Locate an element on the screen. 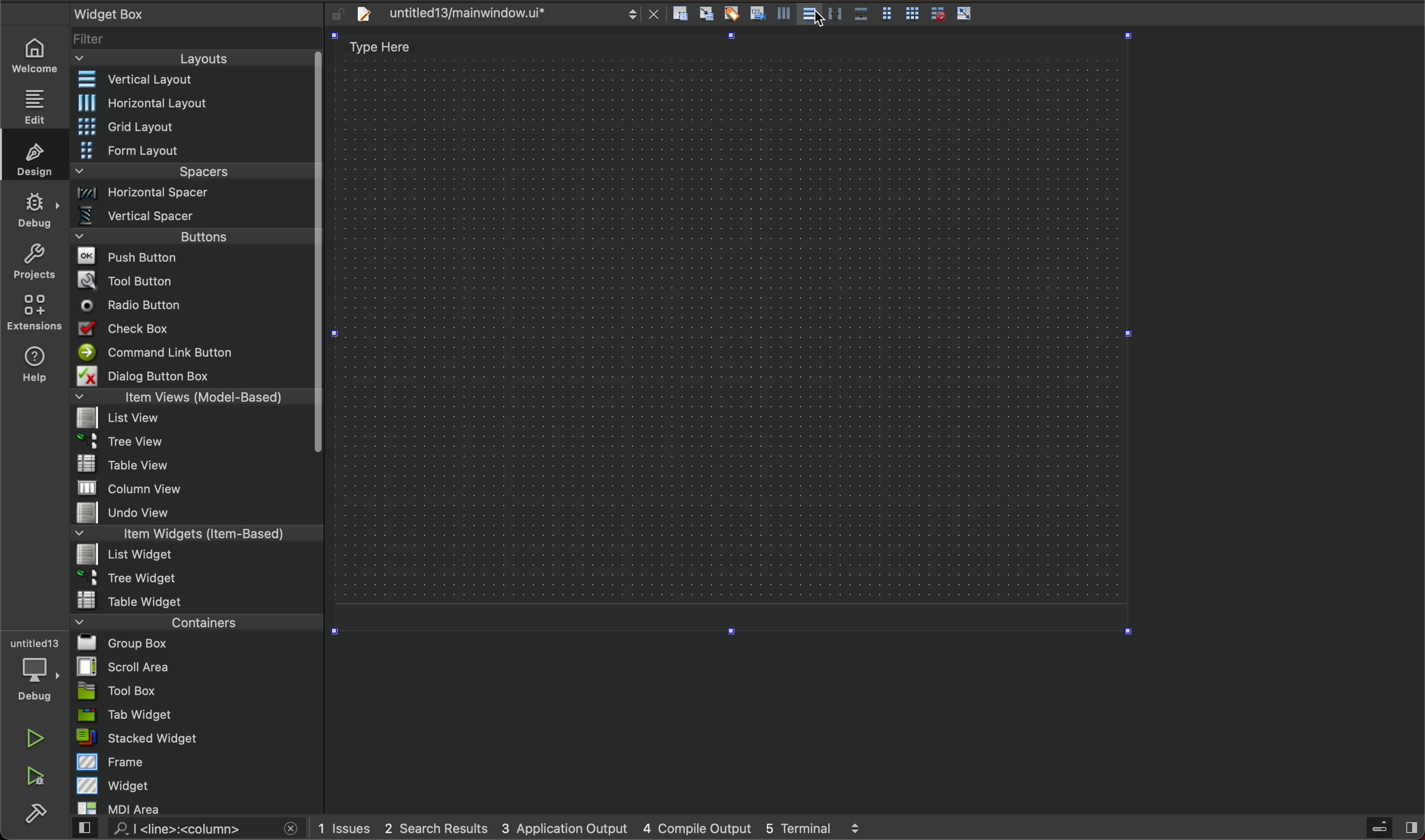 The image size is (1425, 840). edit buddies is located at coordinates (734, 13).